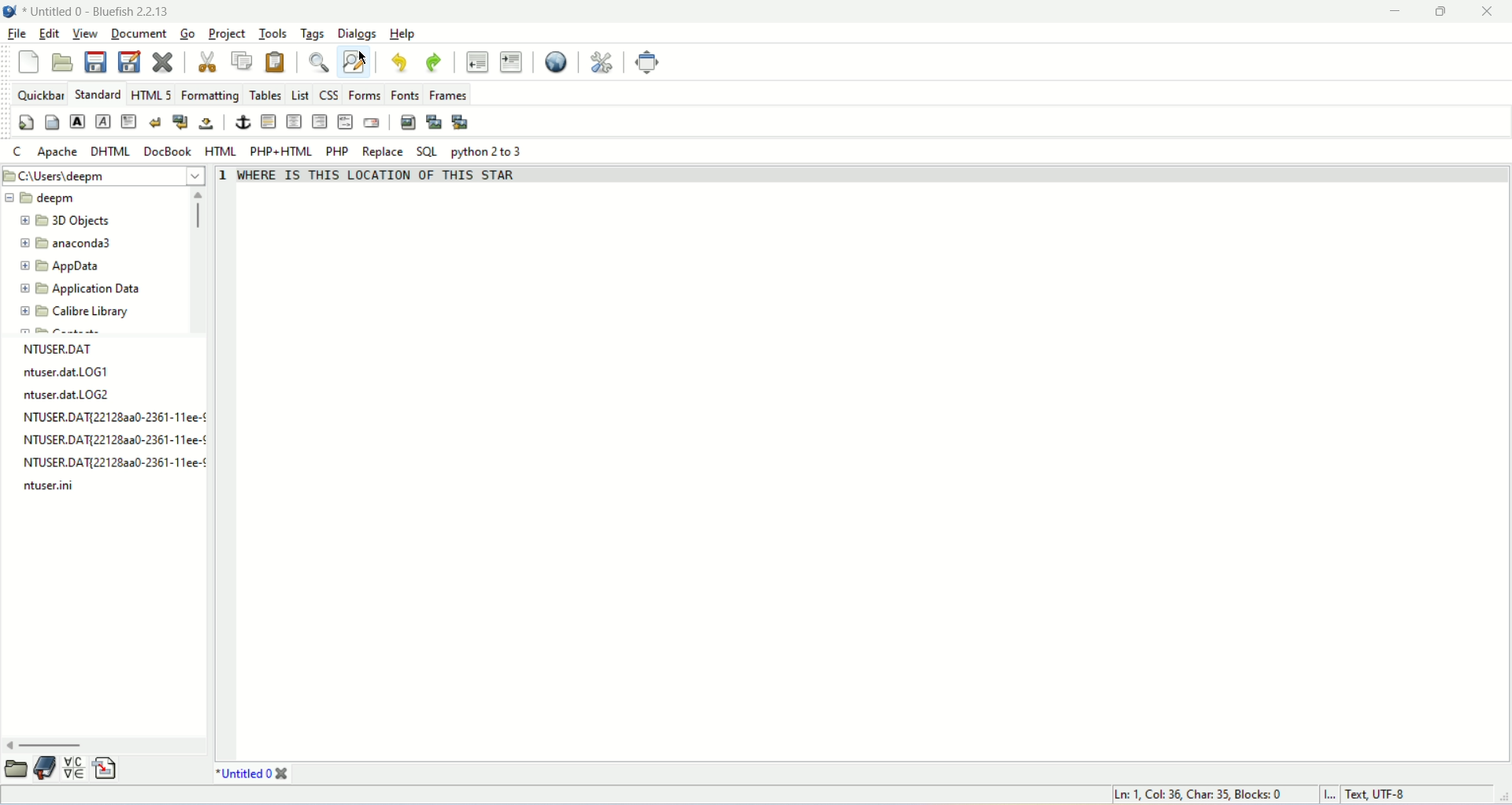  Describe the element at coordinates (301, 95) in the screenshot. I see `list` at that location.